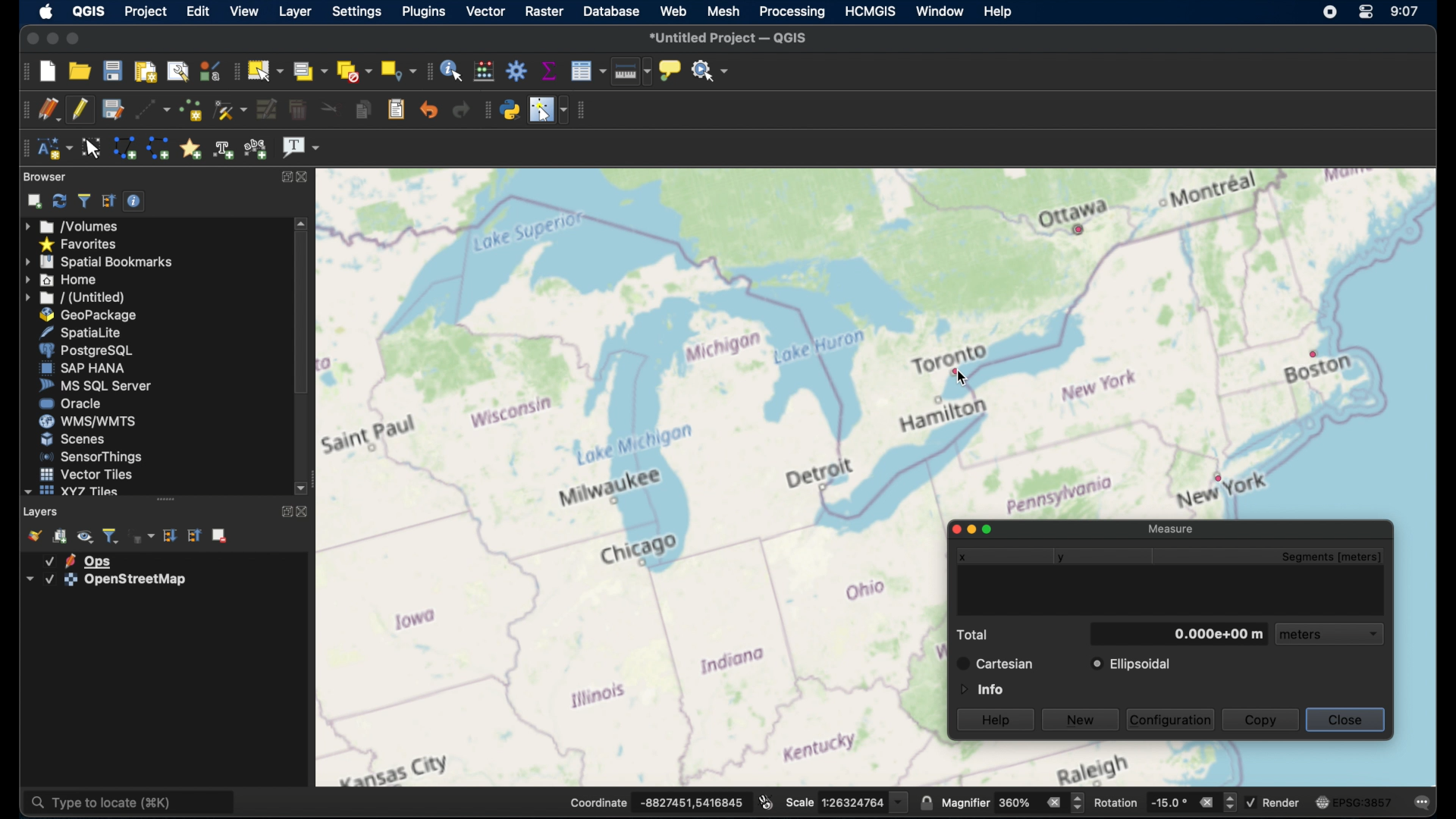  Describe the element at coordinates (158, 148) in the screenshot. I see `create line annotation` at that location.